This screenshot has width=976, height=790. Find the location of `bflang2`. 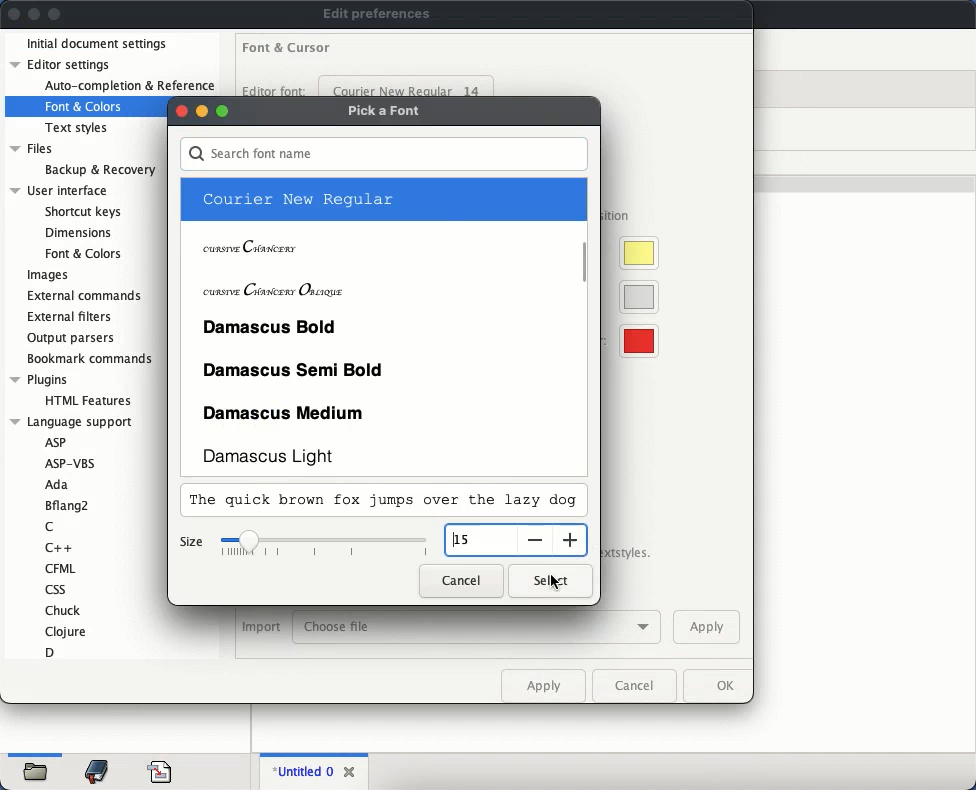

bflang2 is located at coordinates (69, 506).